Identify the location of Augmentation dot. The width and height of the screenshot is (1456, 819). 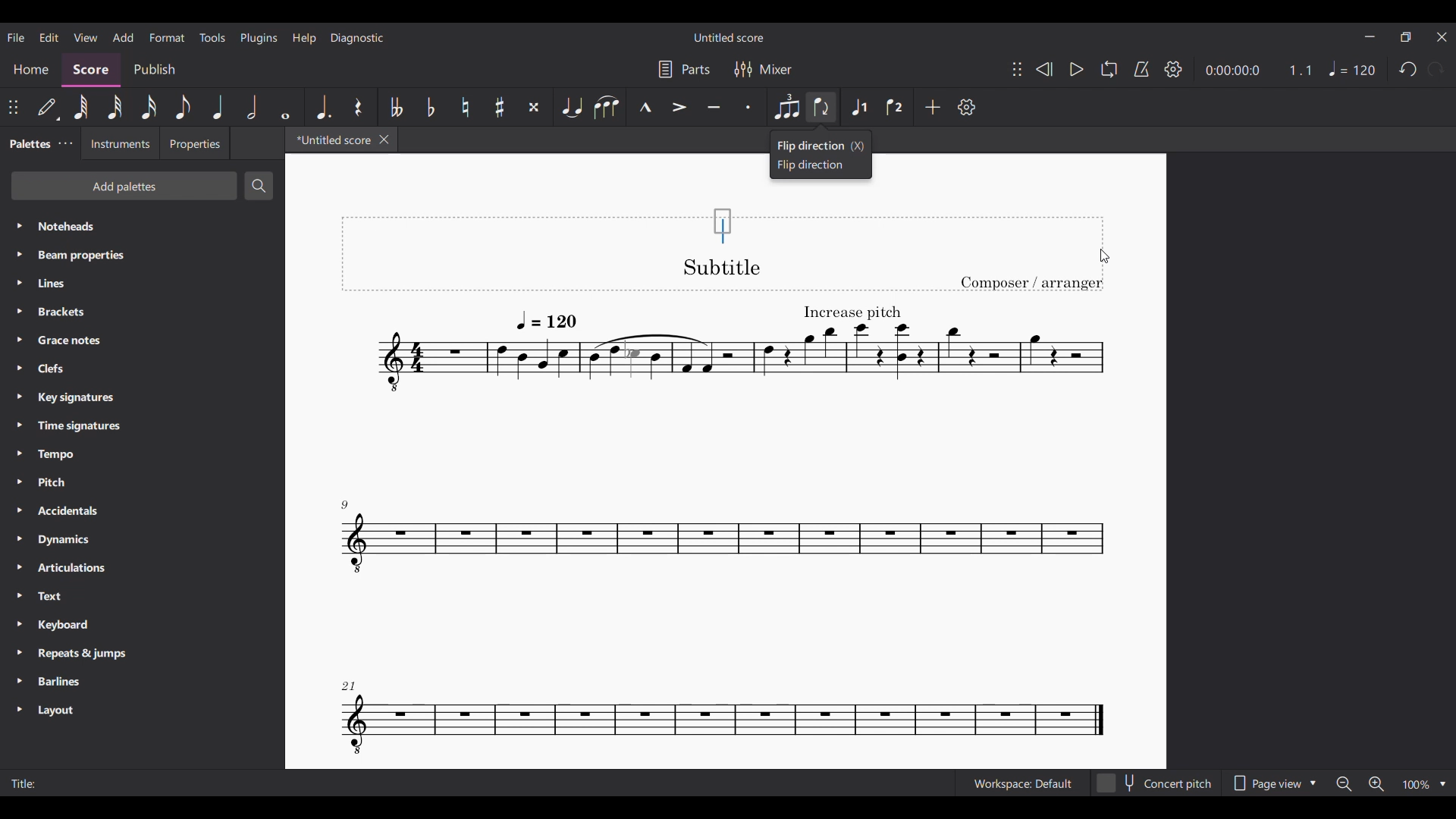
(322, 107).